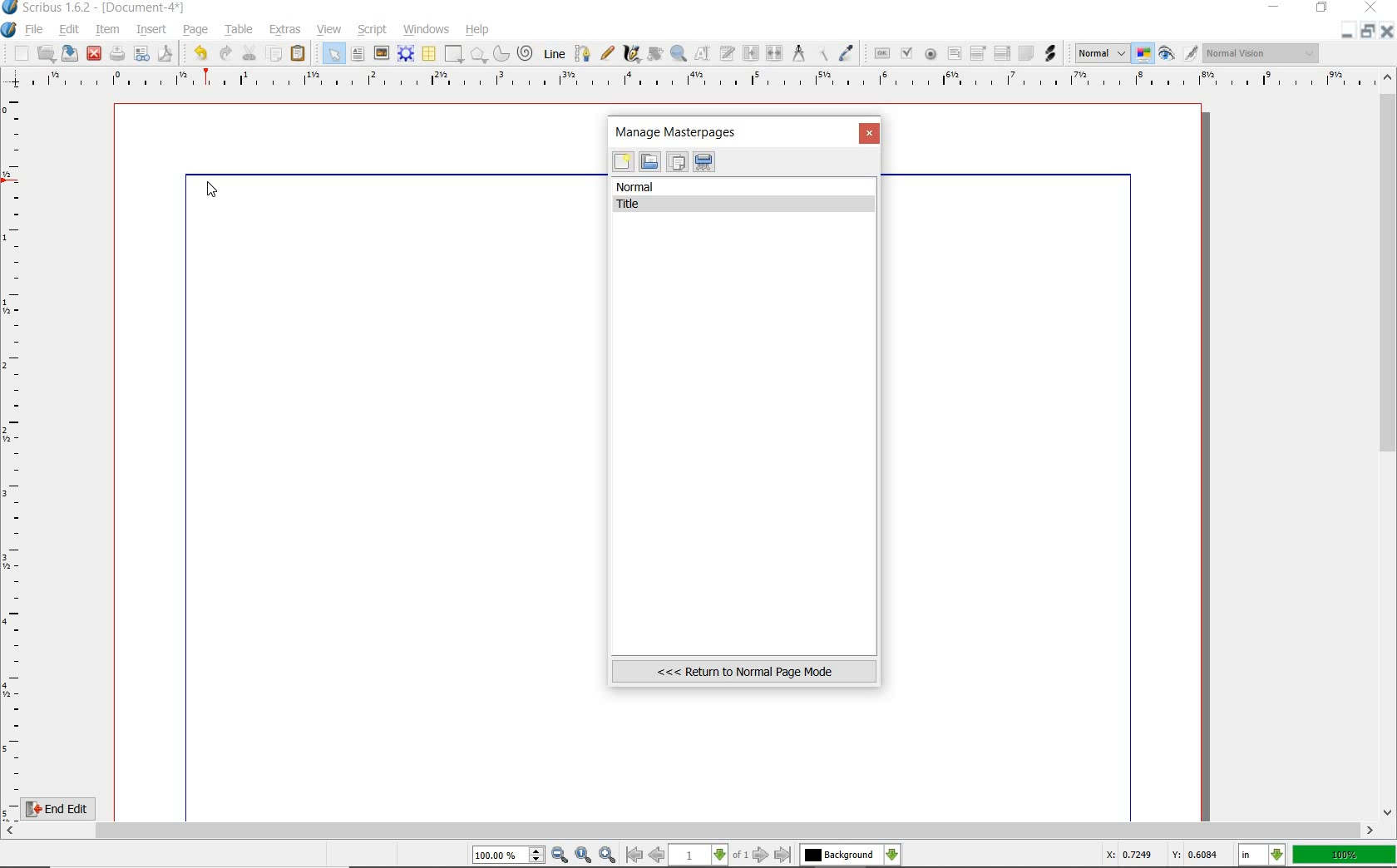 This screenshot has height=868, width=1397. I want to click on go to first page, so click(634, 856).